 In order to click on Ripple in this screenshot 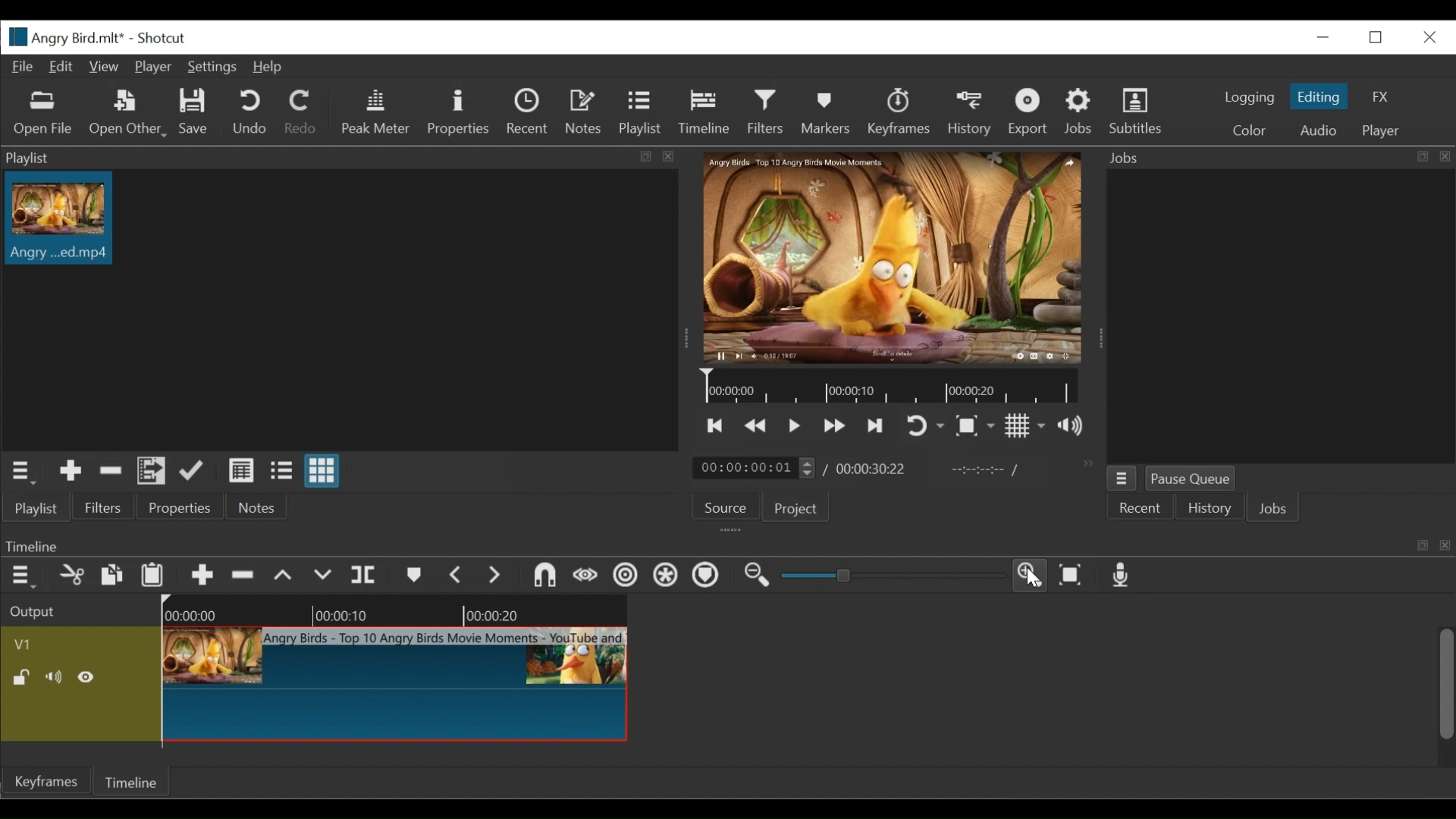, I will do `click(626, 577)`.